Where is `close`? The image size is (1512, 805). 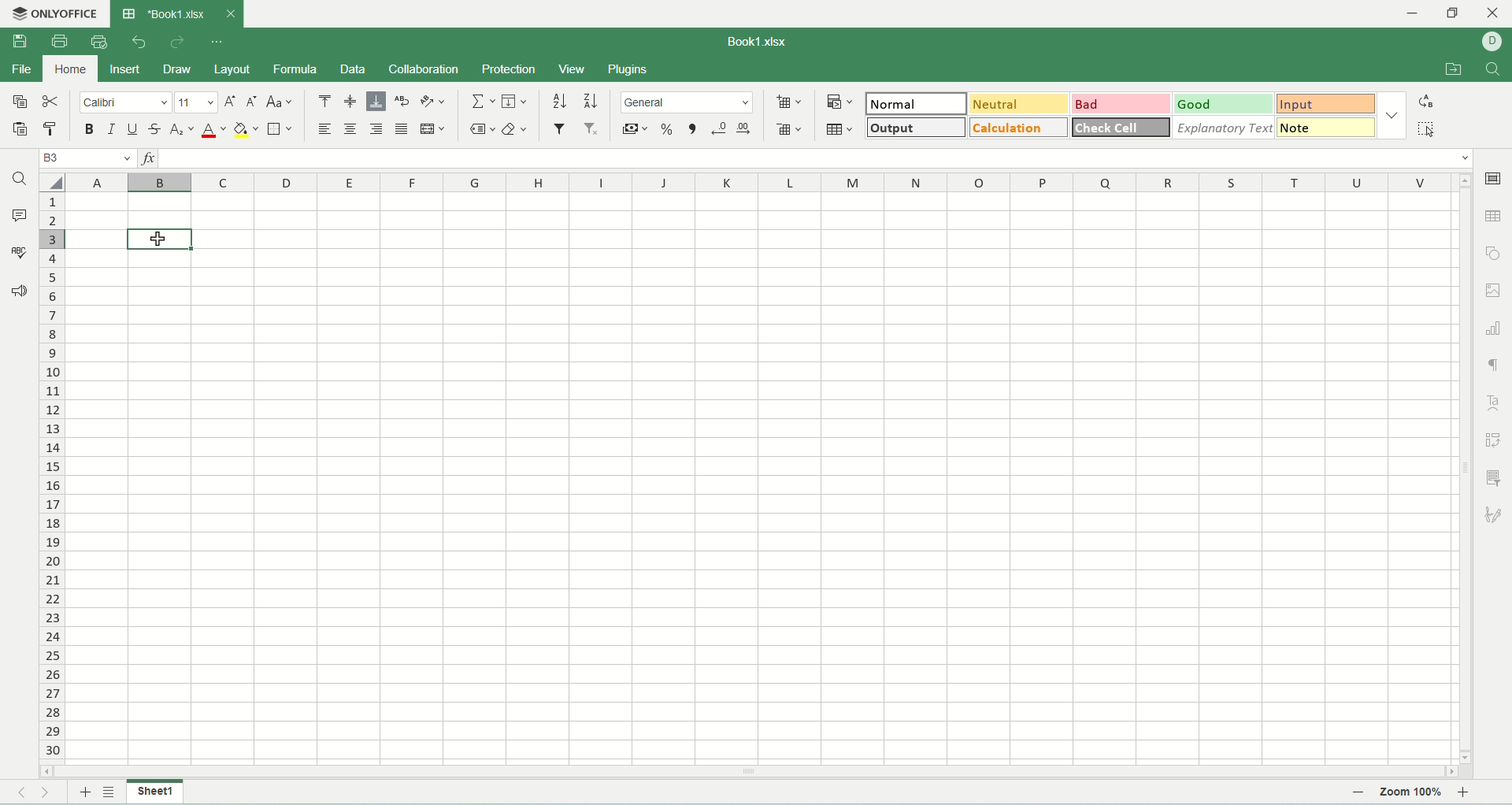
close is located at coordinates (1493, 14).